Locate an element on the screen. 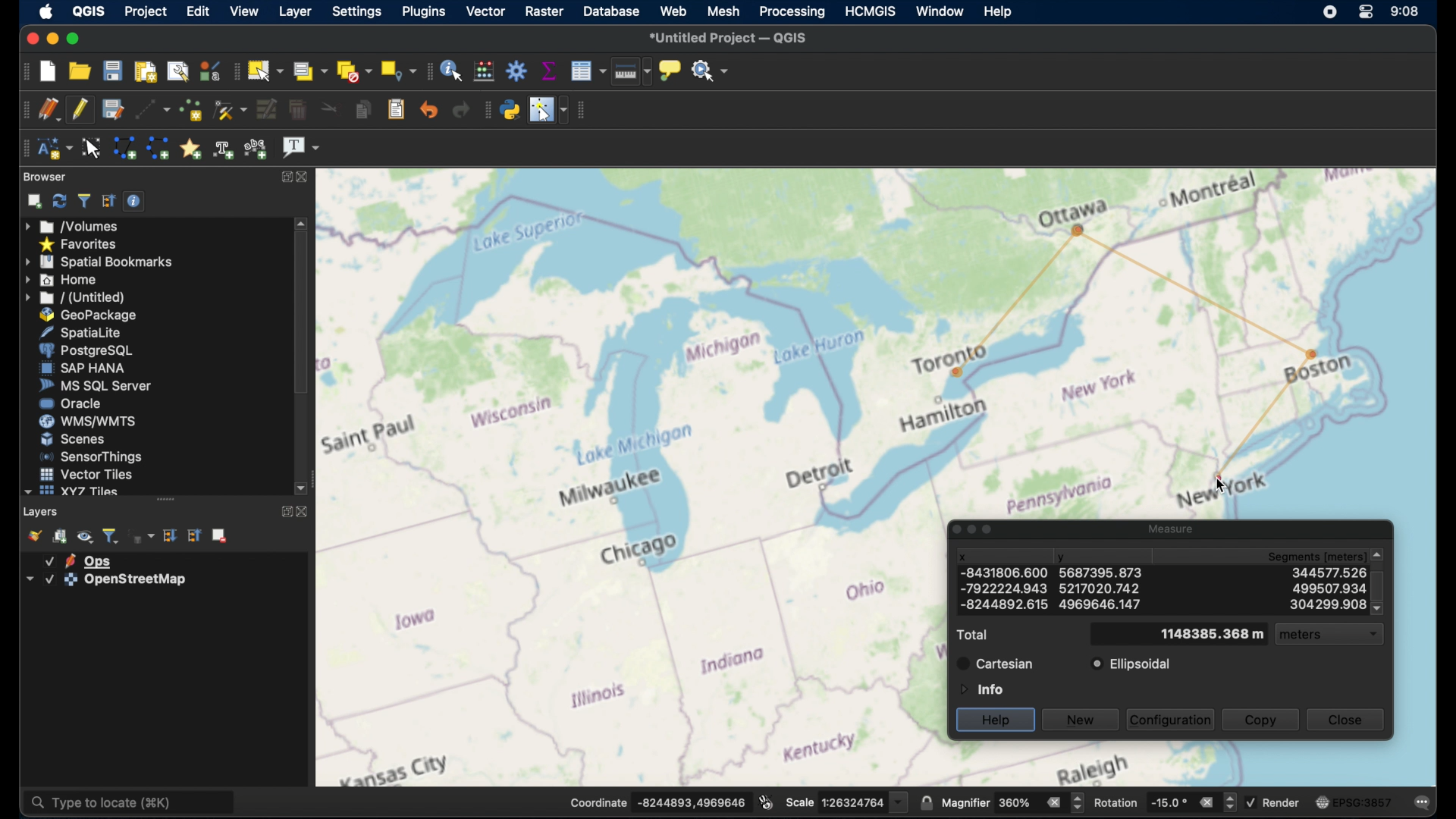  vector toolbar is located at coordinates (584, 111).